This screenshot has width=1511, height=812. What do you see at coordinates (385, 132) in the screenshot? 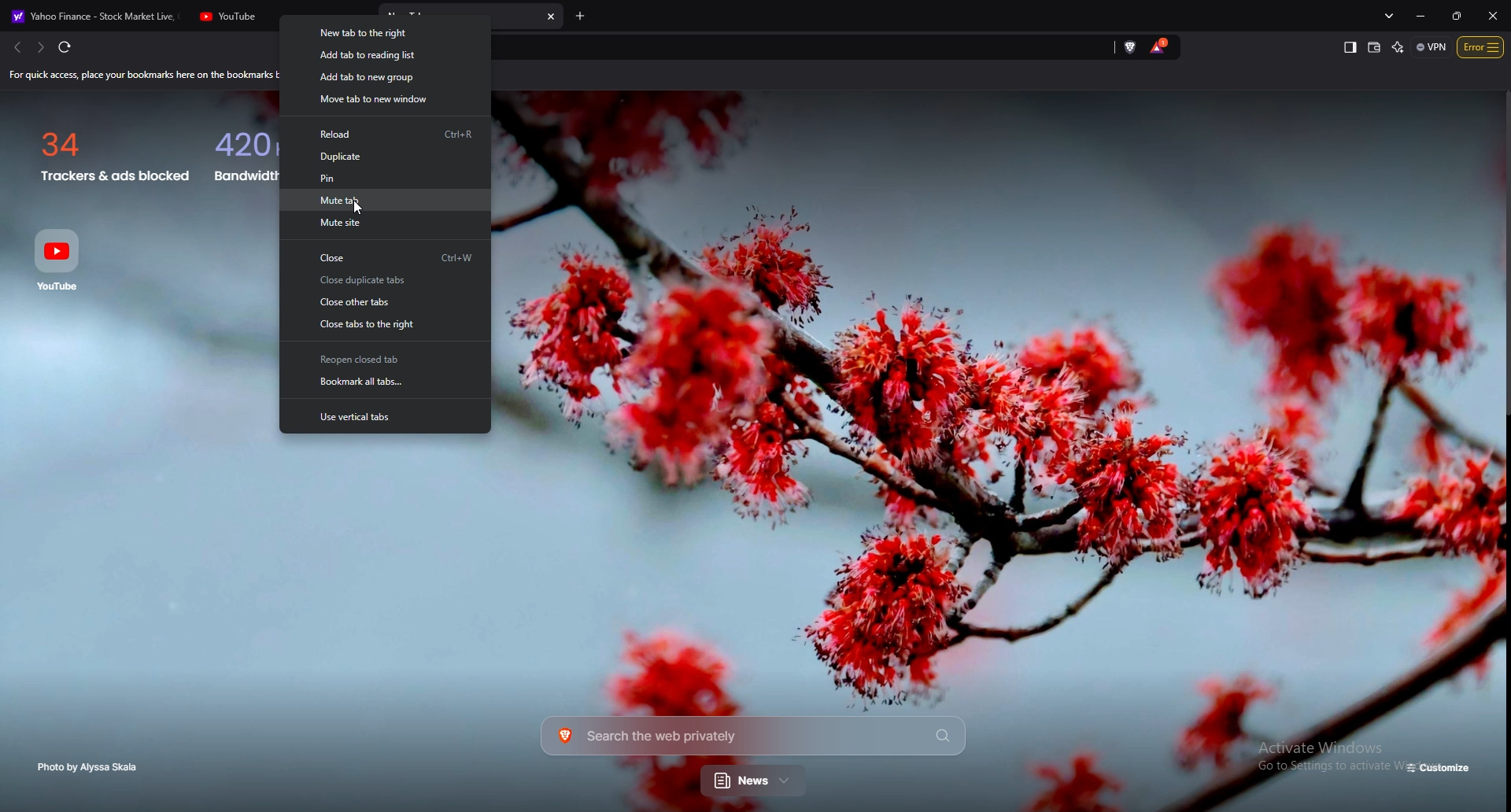
I see `reload Ctrl+R` at bounding box center [385, 132].